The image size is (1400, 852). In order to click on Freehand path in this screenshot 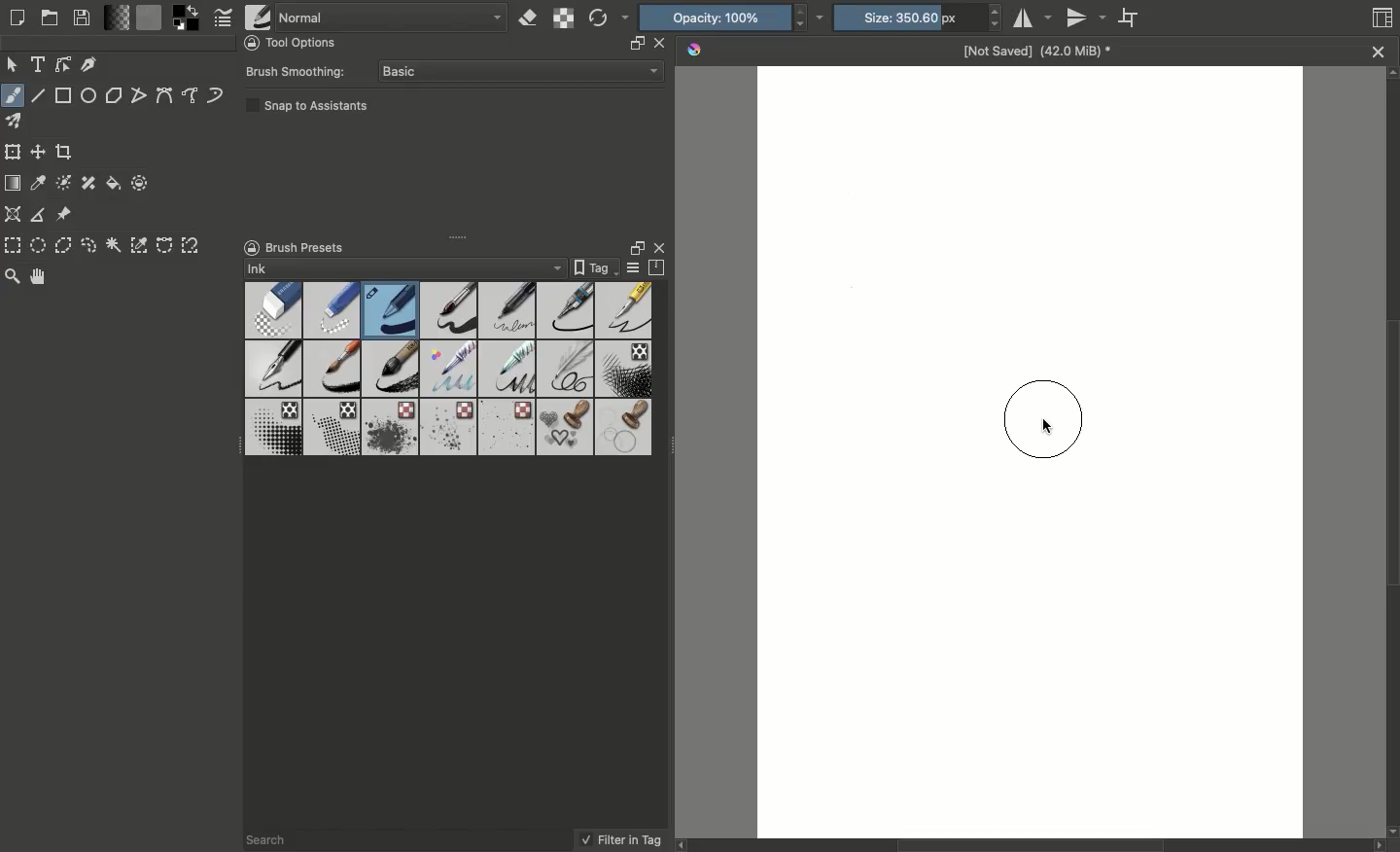, I will do `click(192, 96)`.